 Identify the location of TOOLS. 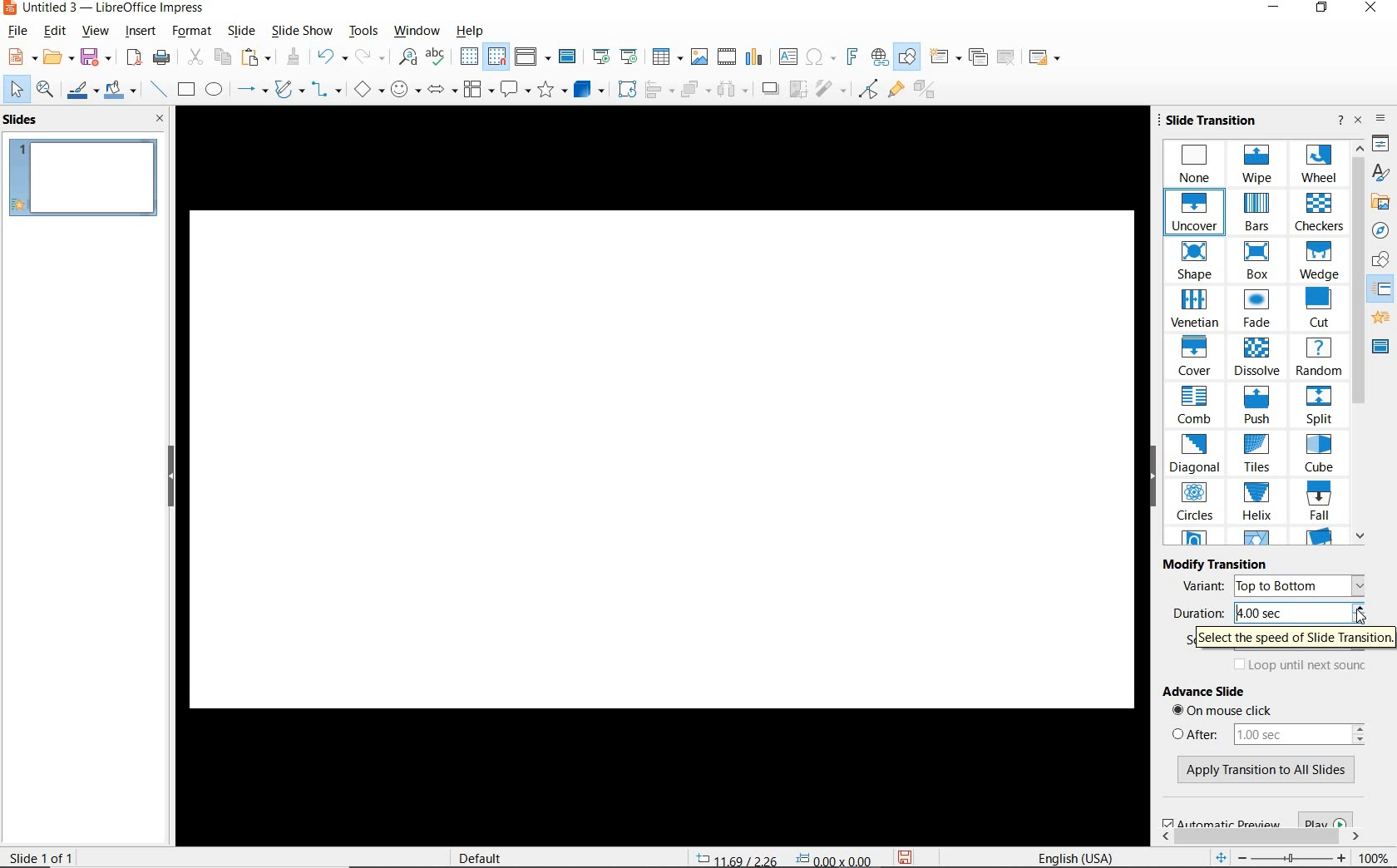
(363, 31).